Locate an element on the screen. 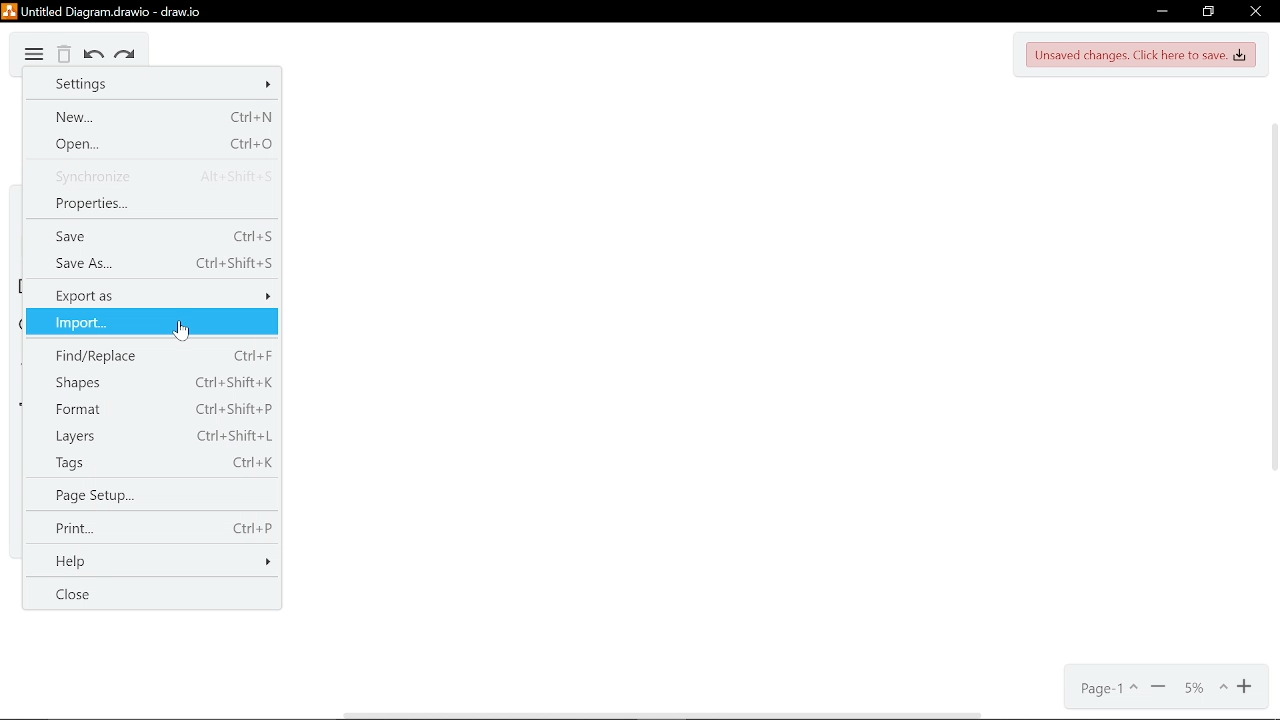  Diagram is located at coordinates (25, 53).